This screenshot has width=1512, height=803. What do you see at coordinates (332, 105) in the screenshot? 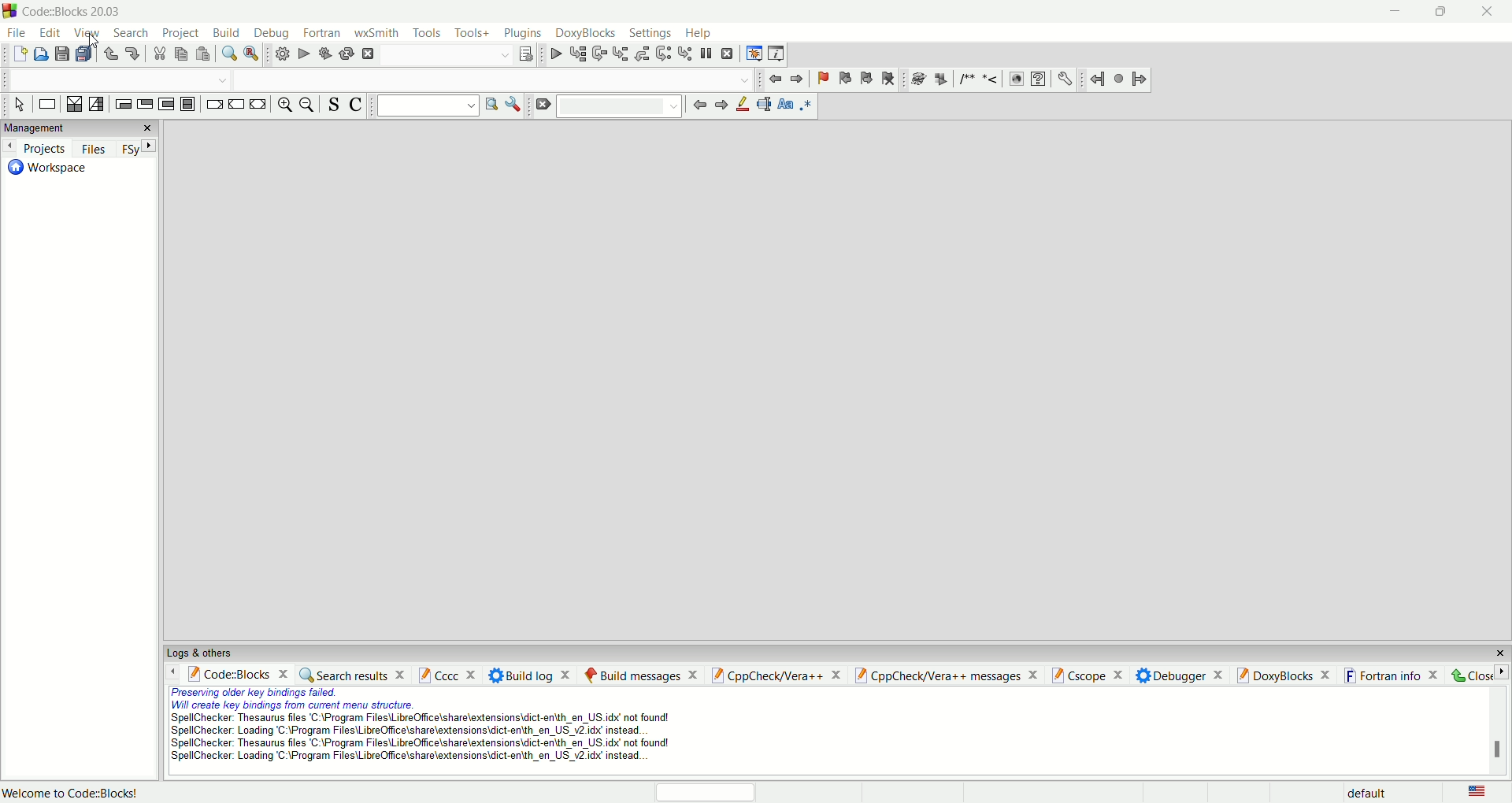
I see `toggle source` at bounding box center [332, 105].